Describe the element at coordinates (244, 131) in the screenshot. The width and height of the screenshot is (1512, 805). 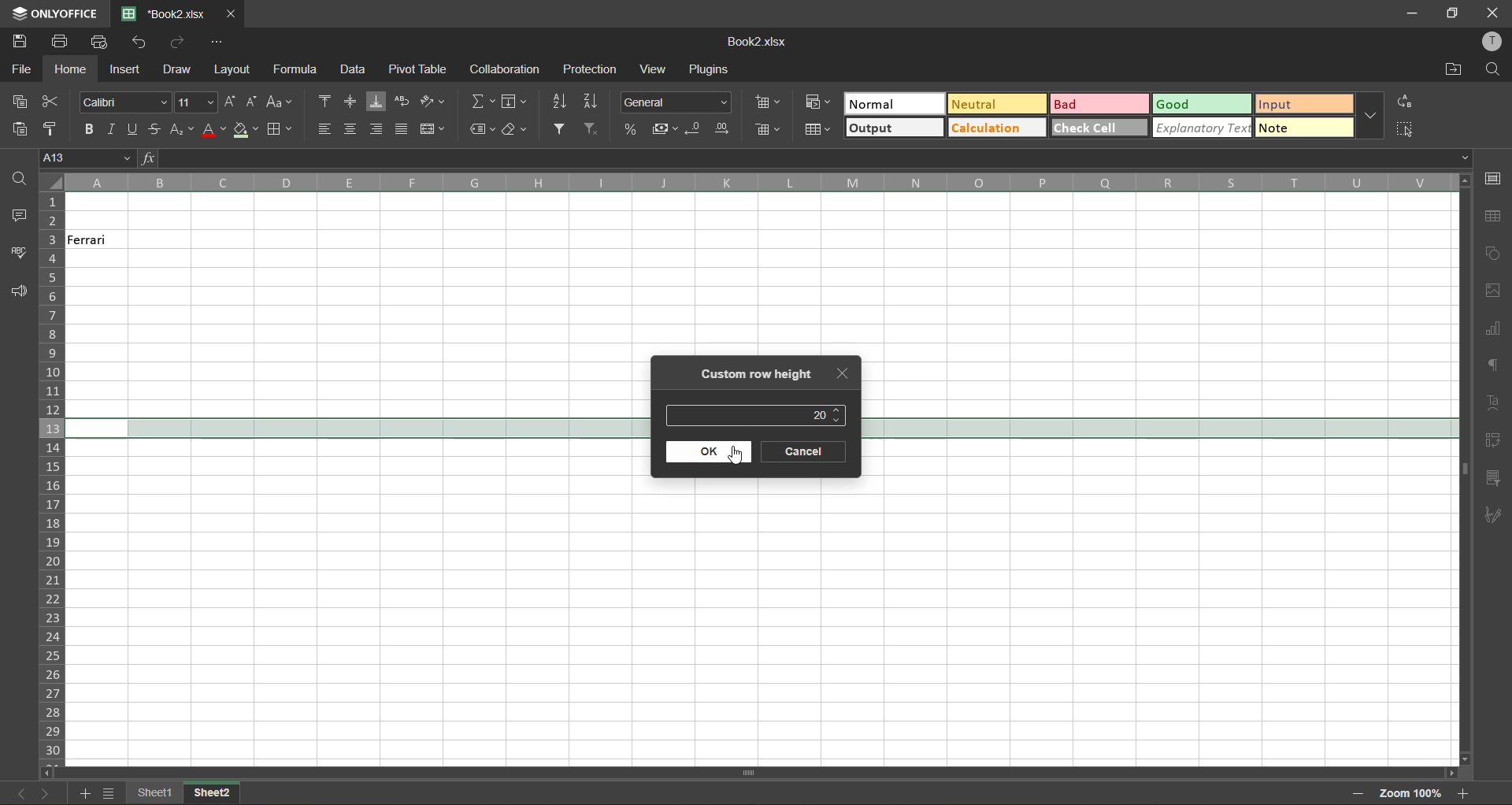
I see `fill color` at that location.